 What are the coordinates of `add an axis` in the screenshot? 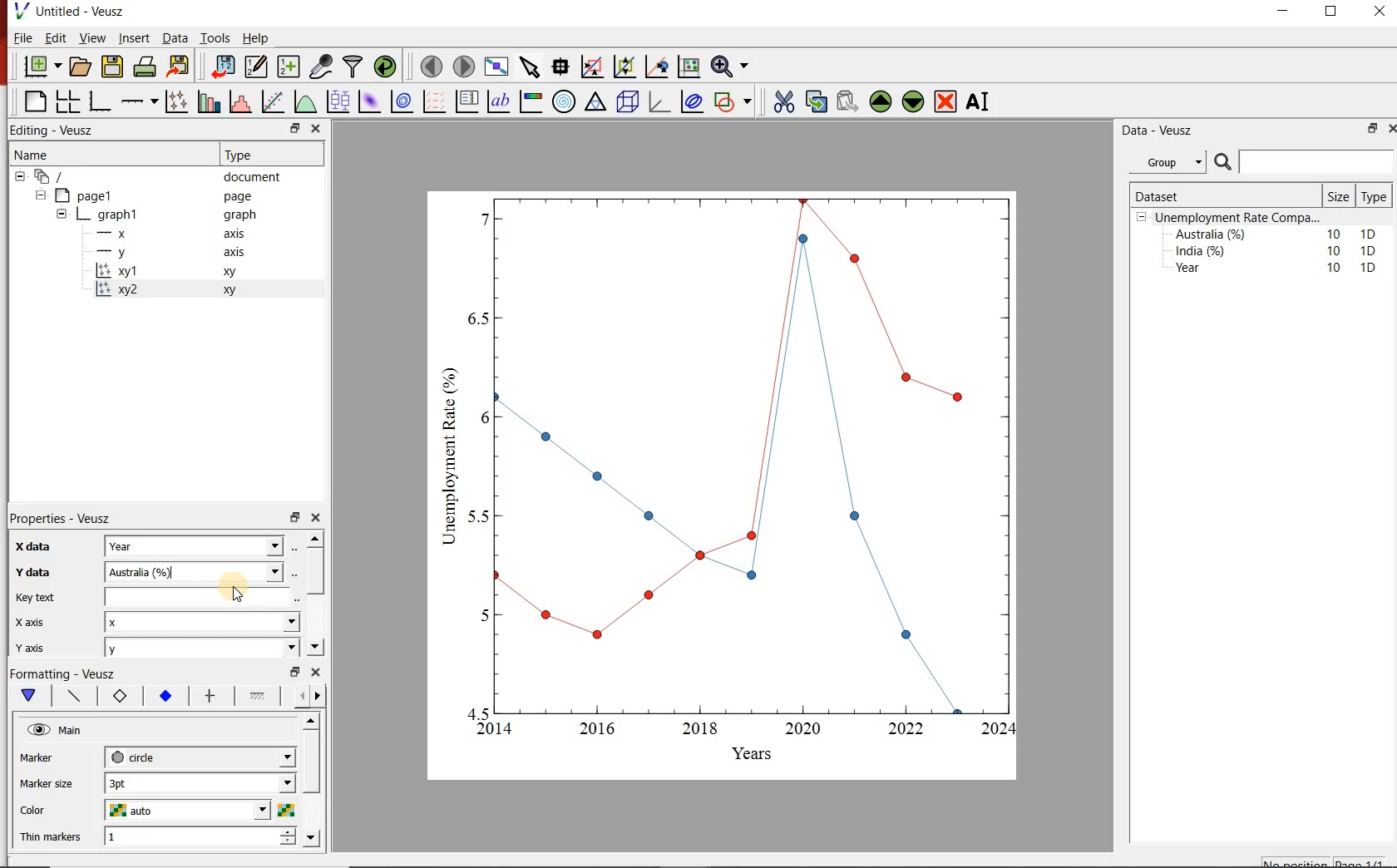 It's located at (138, 101).